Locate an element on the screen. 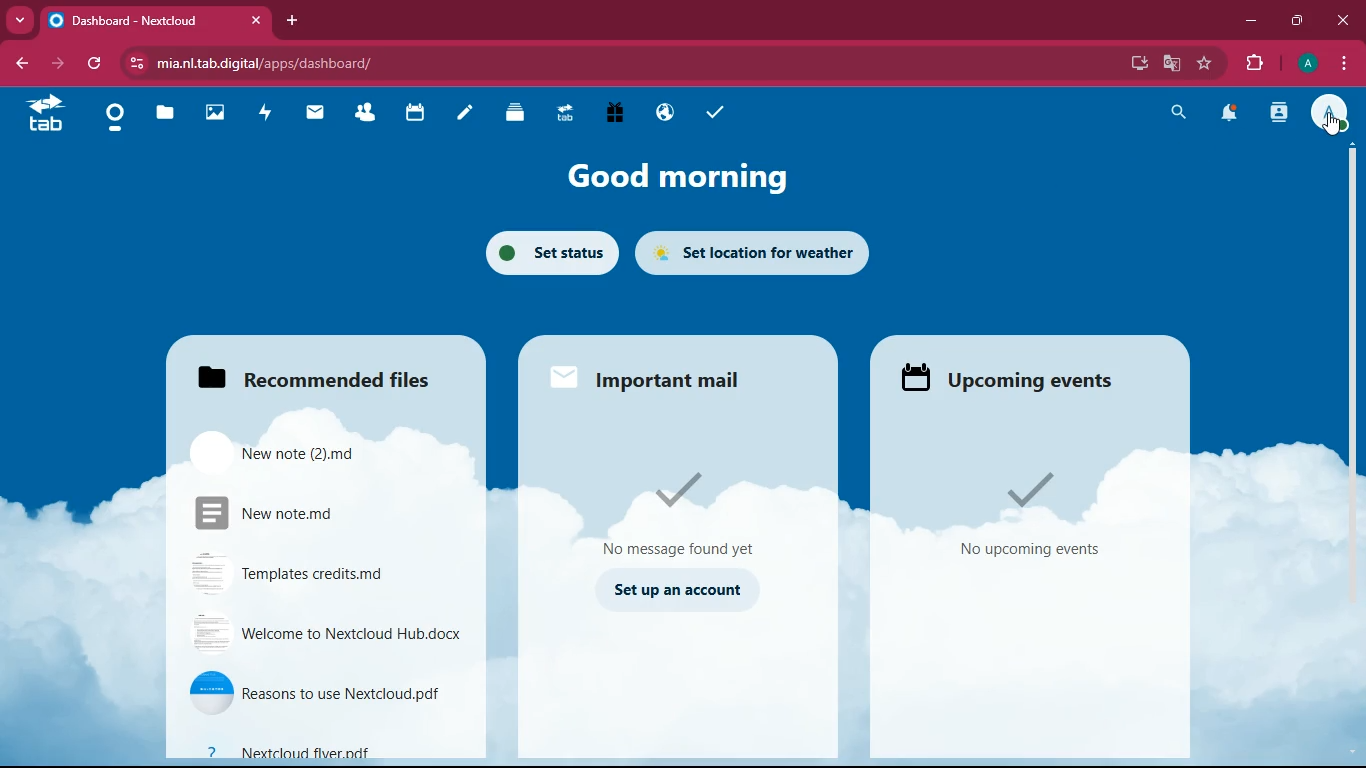  events is located at coordinates (1031, 518).